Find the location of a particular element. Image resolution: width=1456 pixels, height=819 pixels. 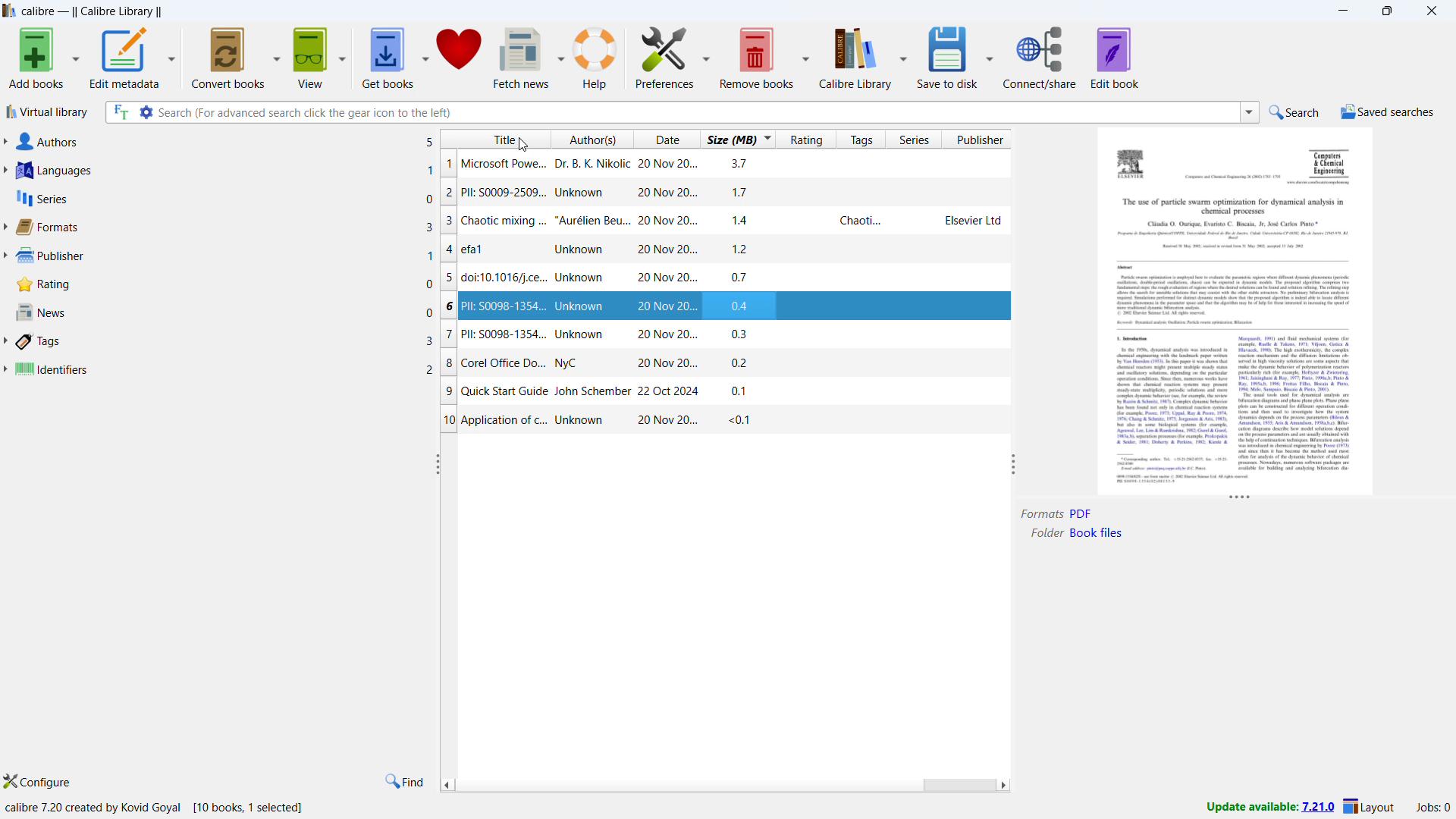

maximize is located at coordinates (1387, 10).